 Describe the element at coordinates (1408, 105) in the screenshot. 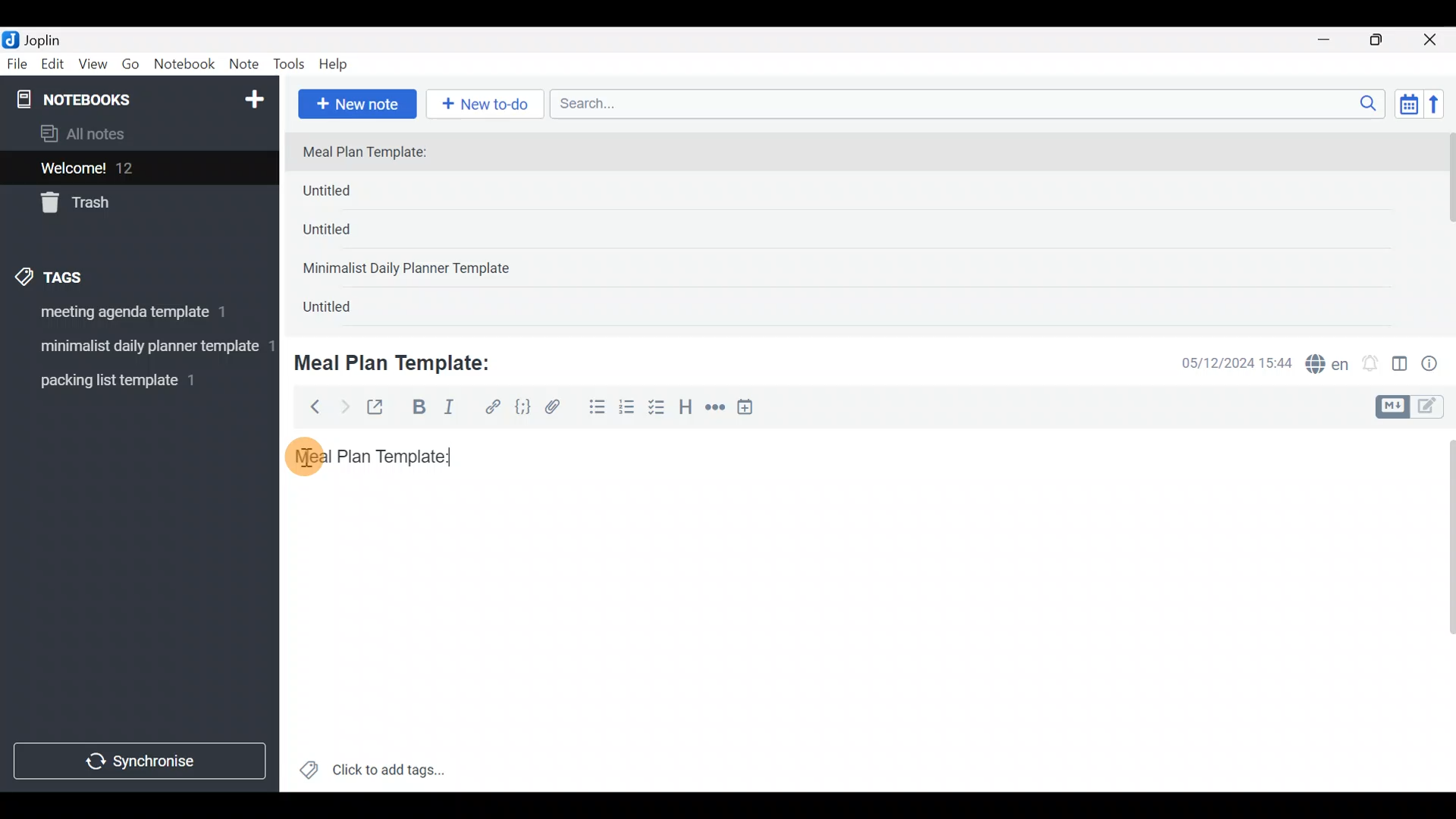

I see `Toggle sort order` at that location.